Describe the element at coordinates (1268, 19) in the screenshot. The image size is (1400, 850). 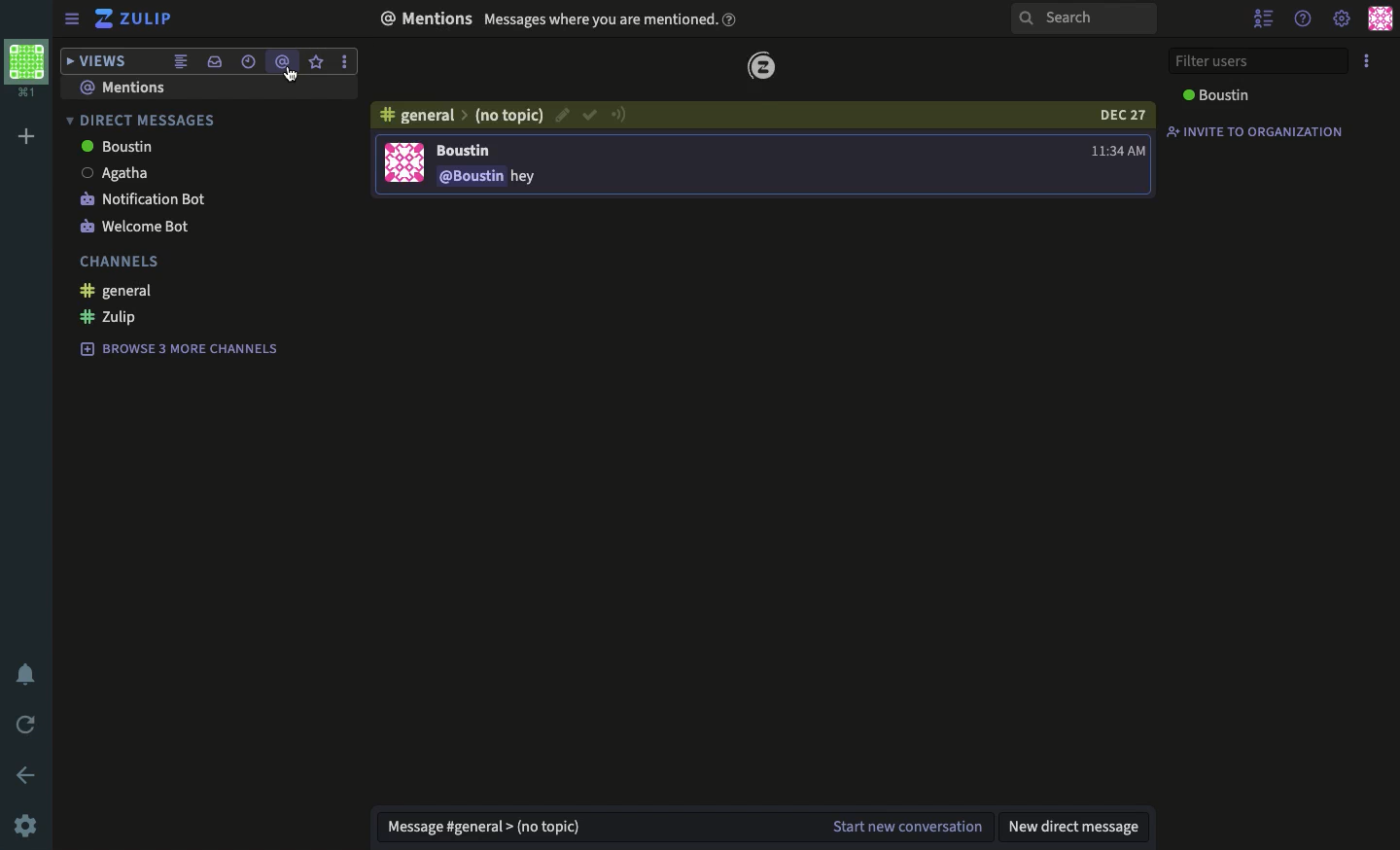
I see `hide user list` at that location.